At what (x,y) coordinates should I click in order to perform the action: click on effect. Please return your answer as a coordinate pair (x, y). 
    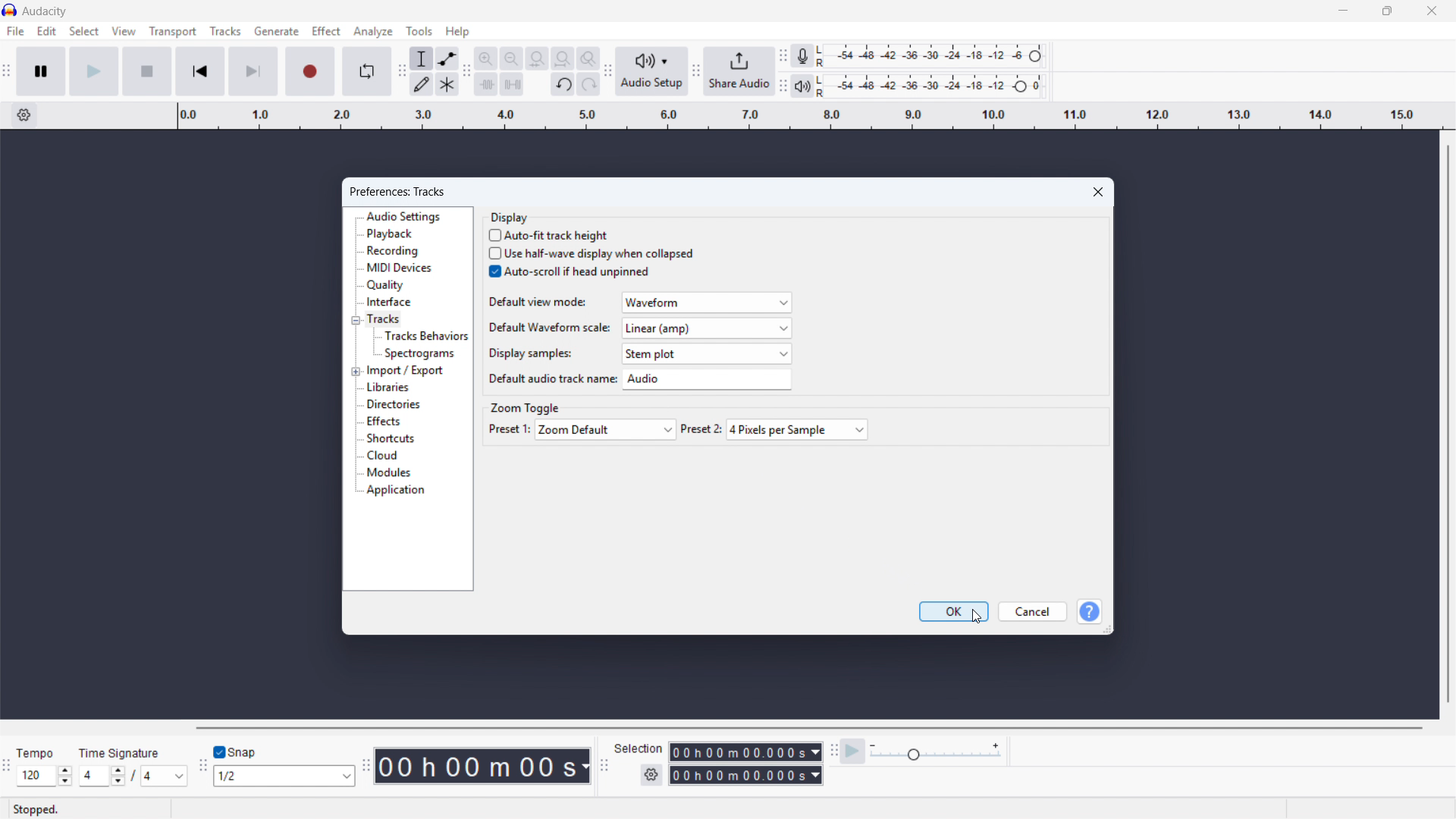
    Looking at the image, I should click on (325, 30).